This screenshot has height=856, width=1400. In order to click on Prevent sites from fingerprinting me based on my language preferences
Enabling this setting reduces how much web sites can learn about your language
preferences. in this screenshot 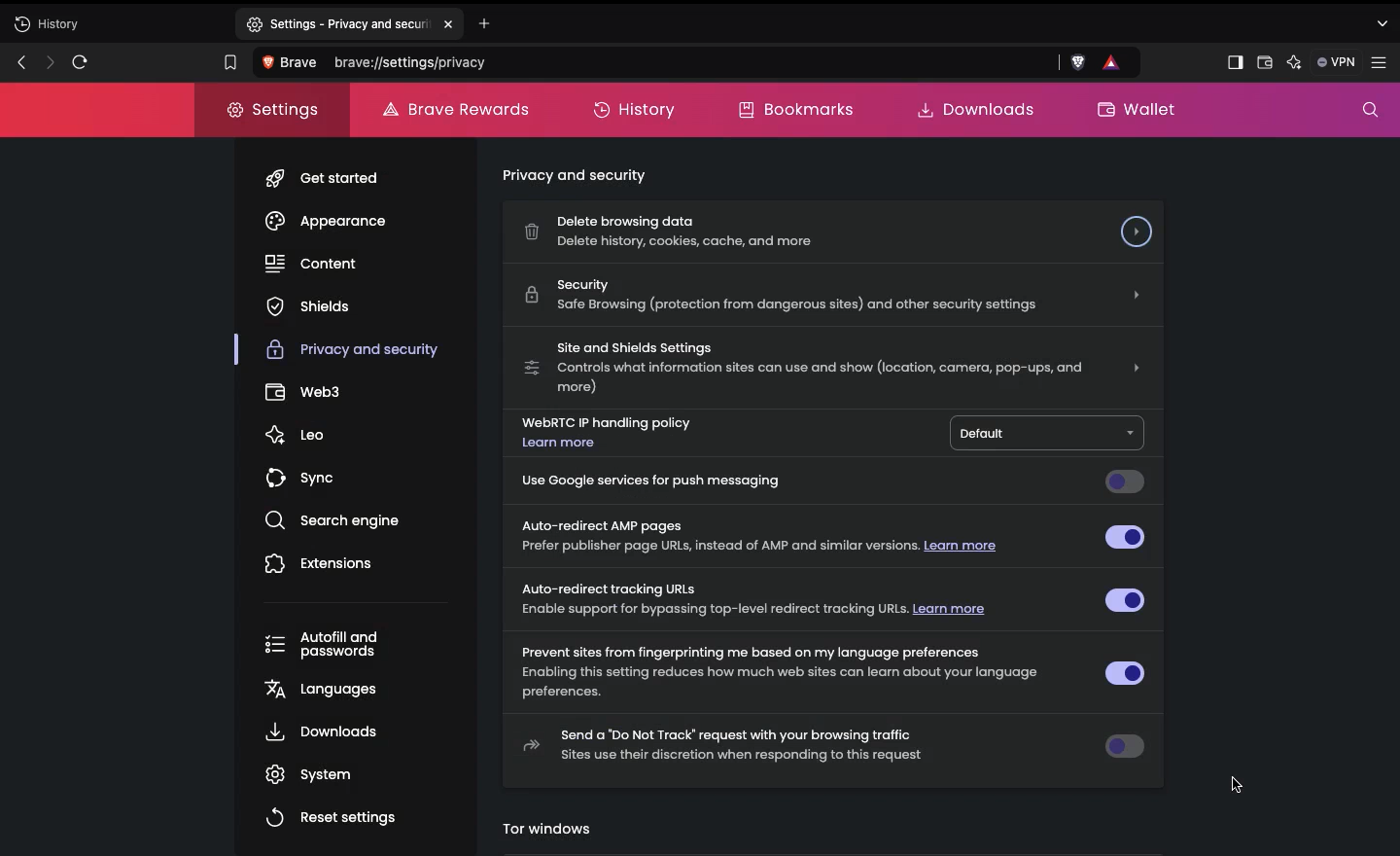, I will do `click(833, 671)`.